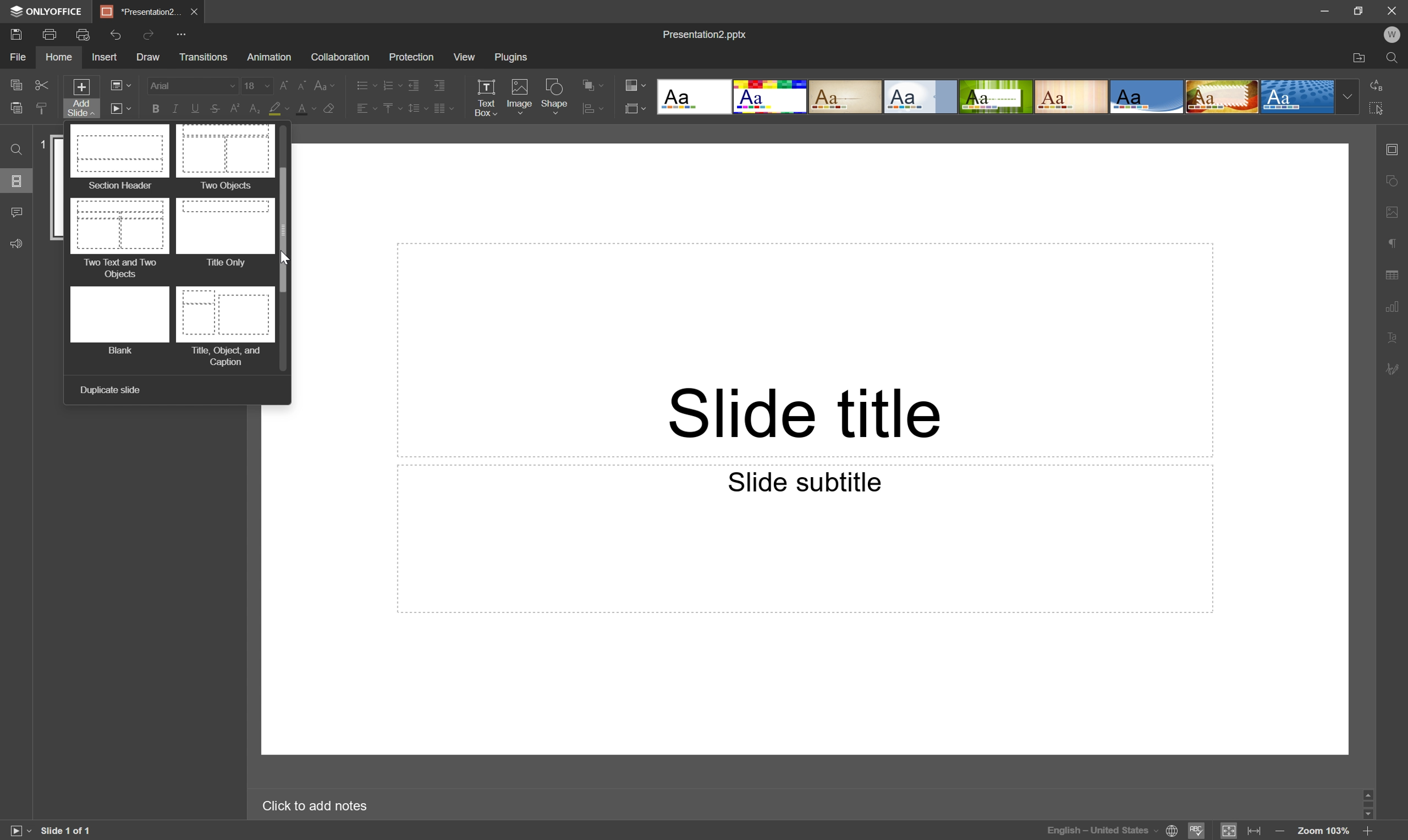 Image resolution: width=1408 pixels, height=840 pixels. What do you see at coordinates (288, 229) in the screenshot?
I see `Scroll Bar` at bounding box center [288, 229].